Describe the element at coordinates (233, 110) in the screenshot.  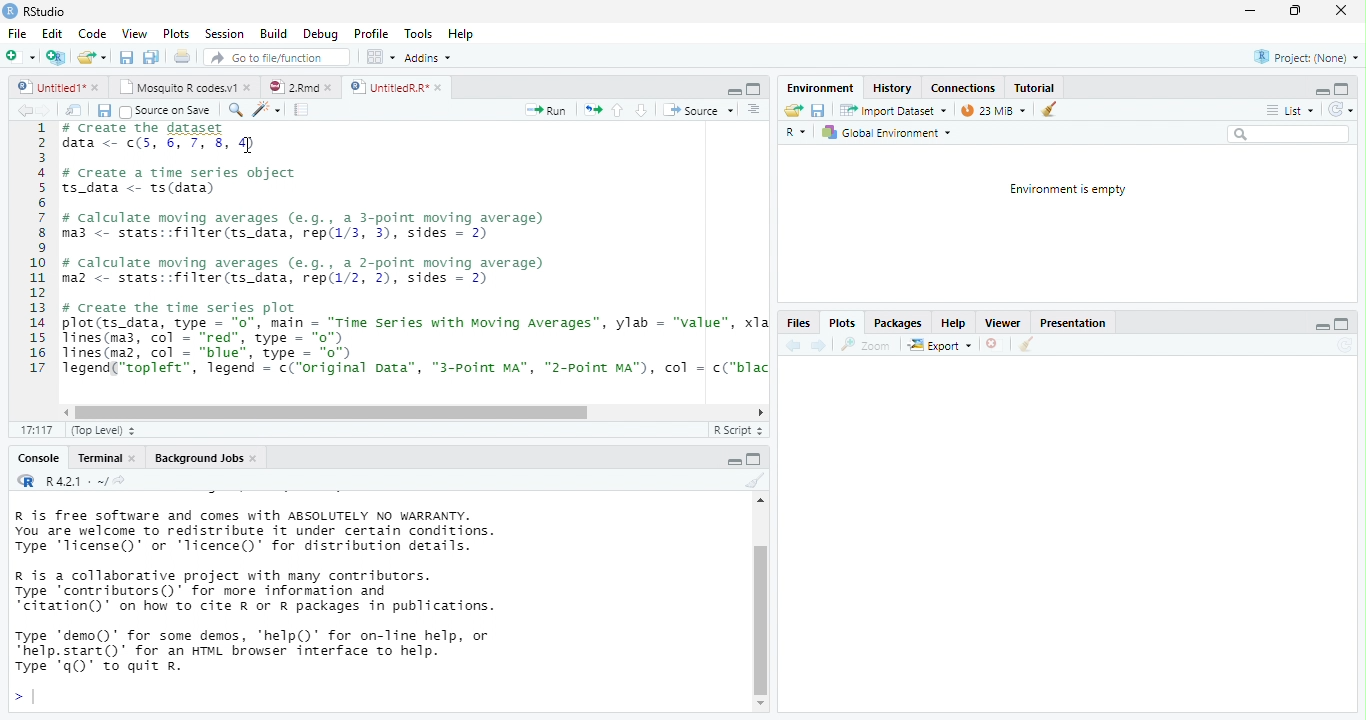
I see `search` at that location.